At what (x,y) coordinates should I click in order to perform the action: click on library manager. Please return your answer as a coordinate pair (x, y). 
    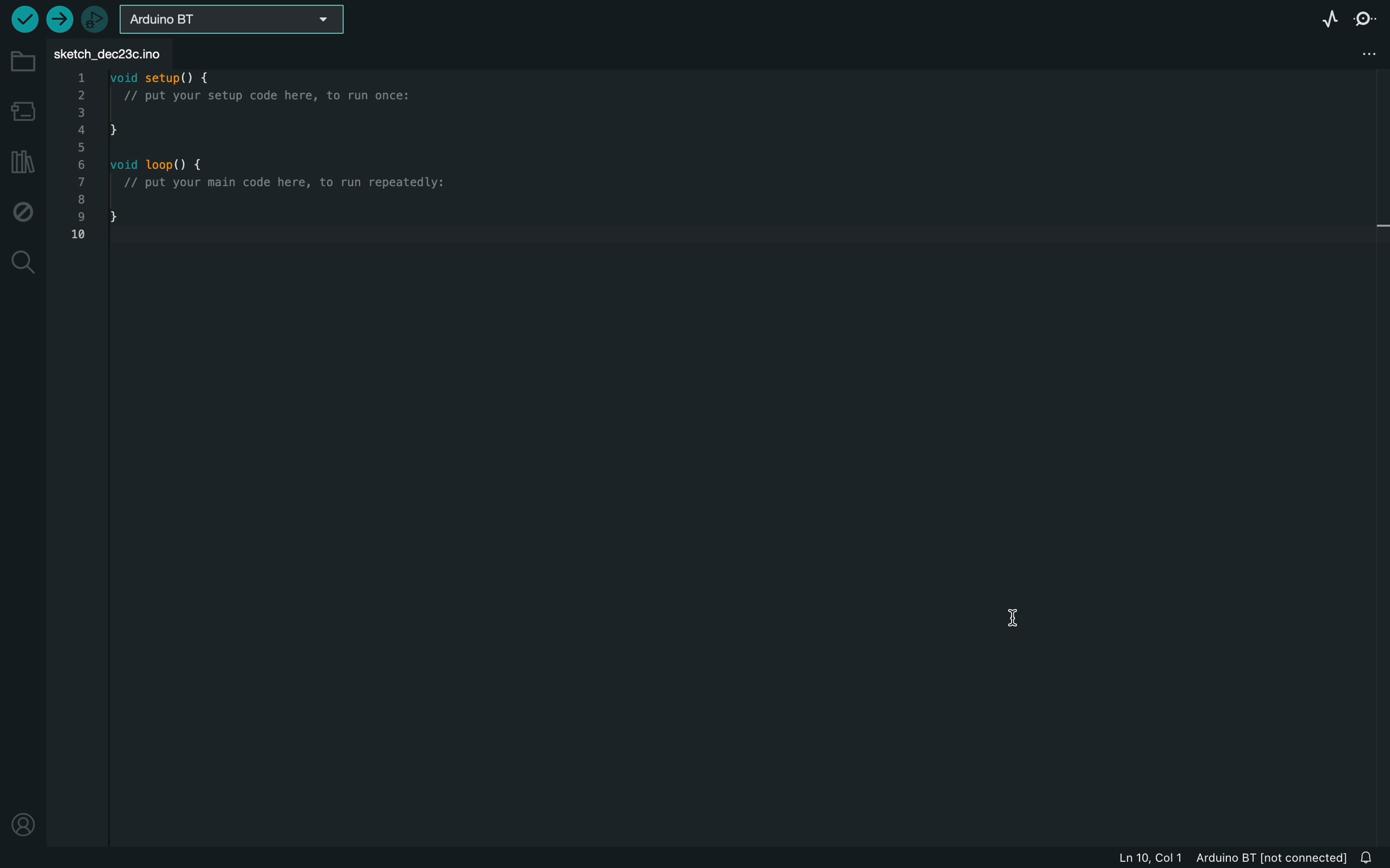
    Looking at the image, I should click on (22, 164).